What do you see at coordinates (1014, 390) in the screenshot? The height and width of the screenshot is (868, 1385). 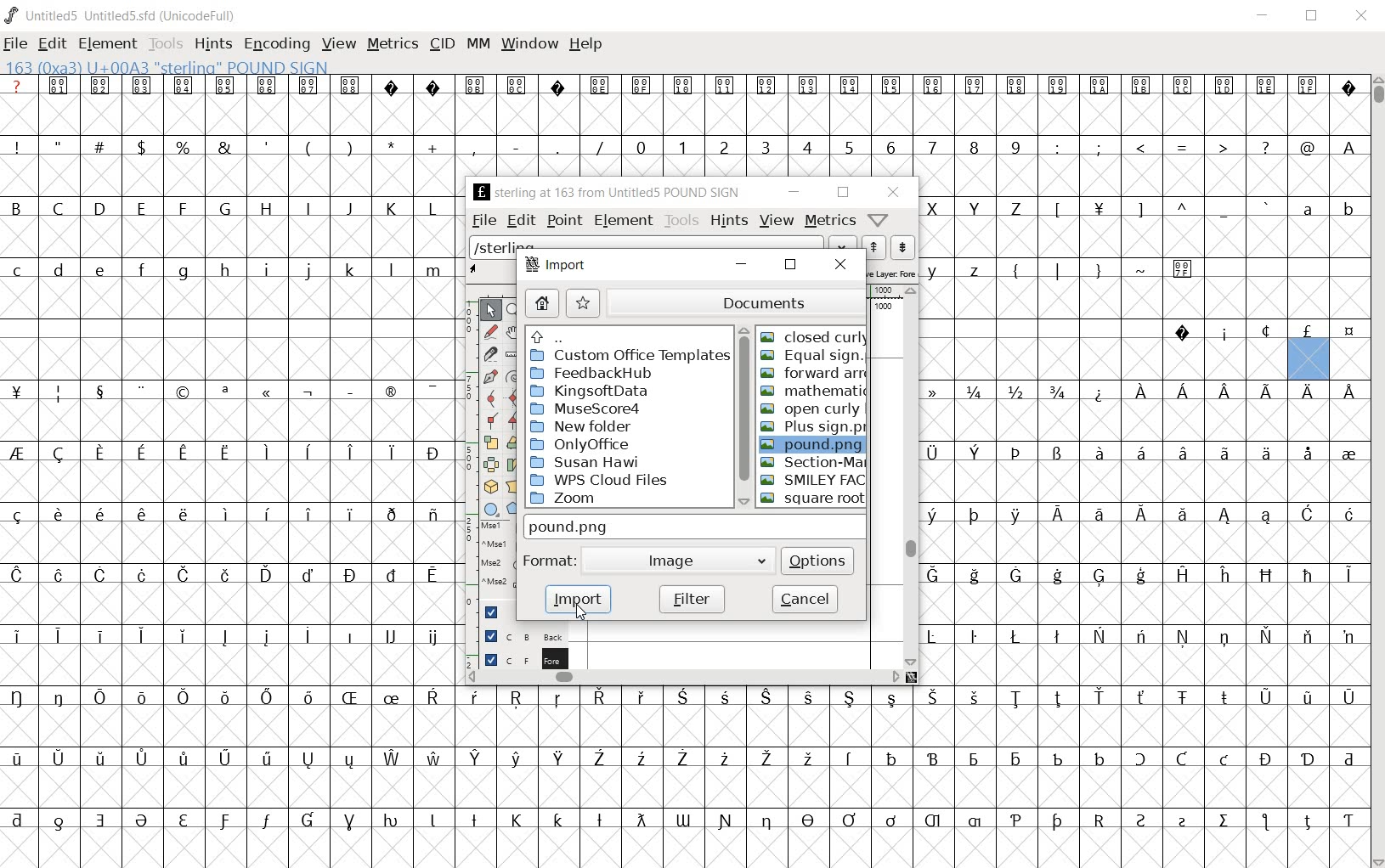 I see `1/2` at bounding box center [1014, 390].